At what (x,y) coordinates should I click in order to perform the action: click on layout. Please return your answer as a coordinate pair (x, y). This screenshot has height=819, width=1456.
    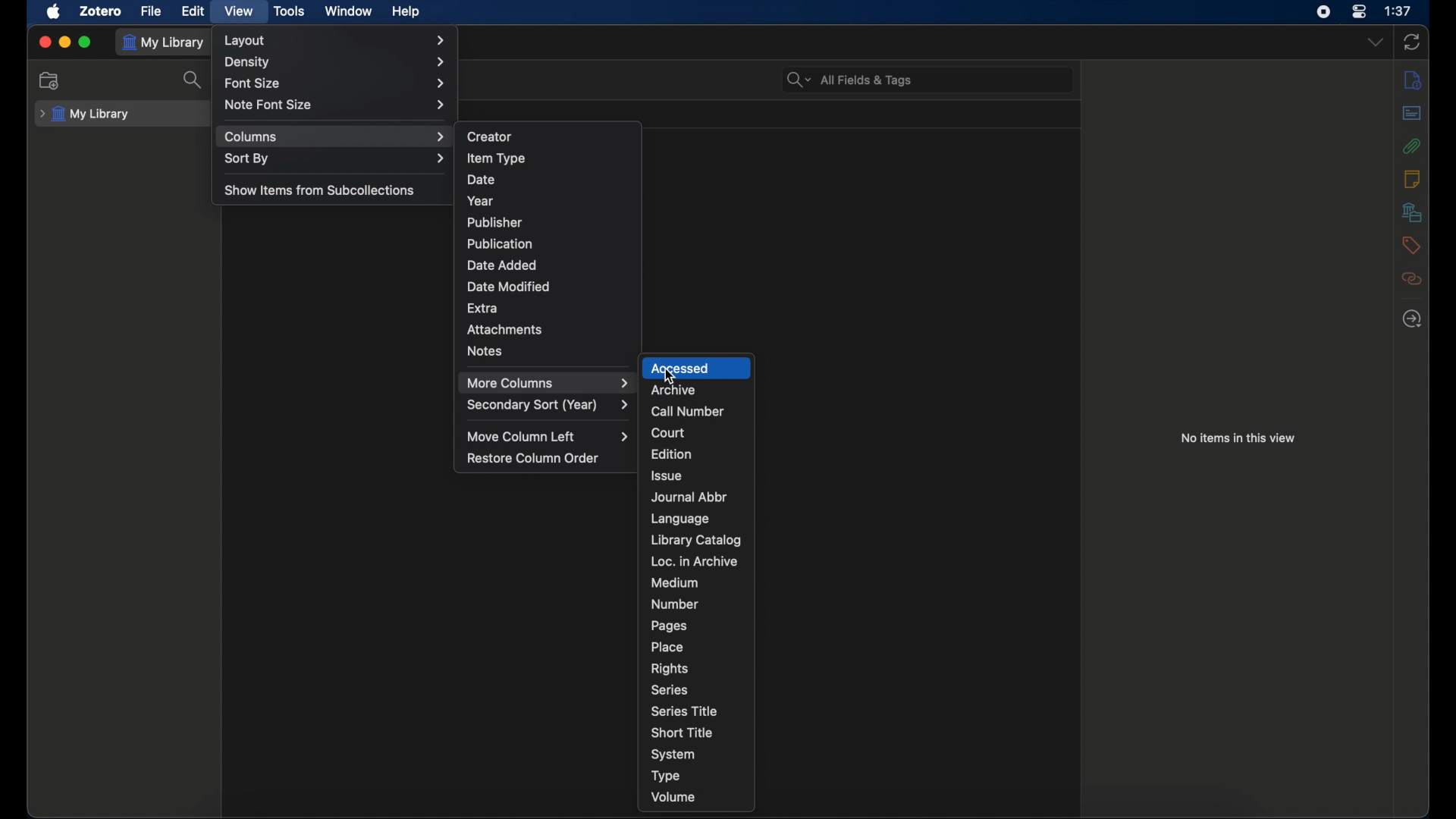
    Looking at the image, I should click on (335, 40).